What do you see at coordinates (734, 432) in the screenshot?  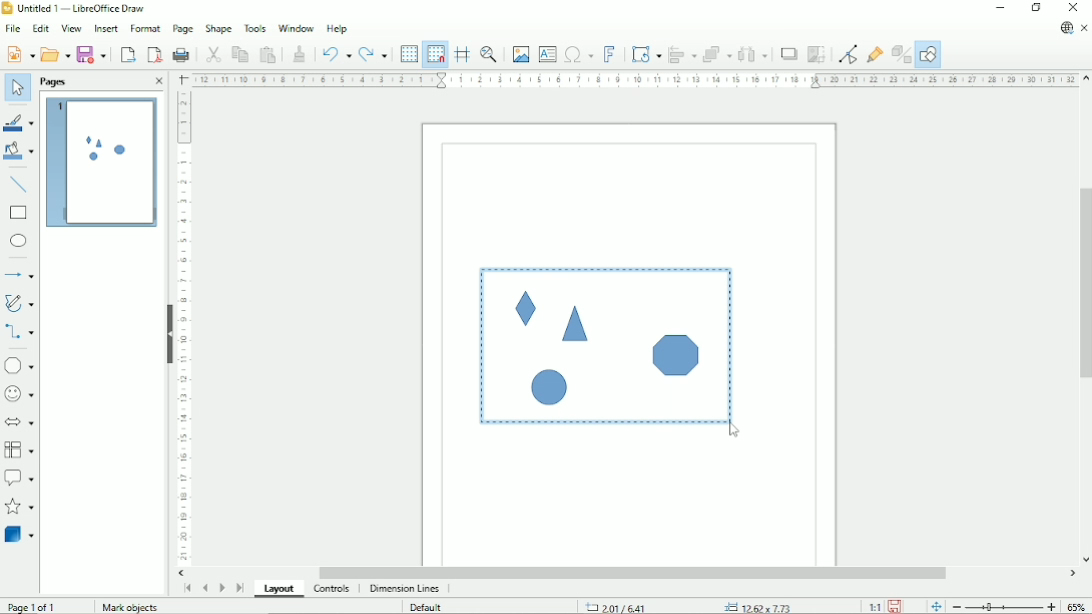 I see `Cursor` at bounding box center [734, 432].